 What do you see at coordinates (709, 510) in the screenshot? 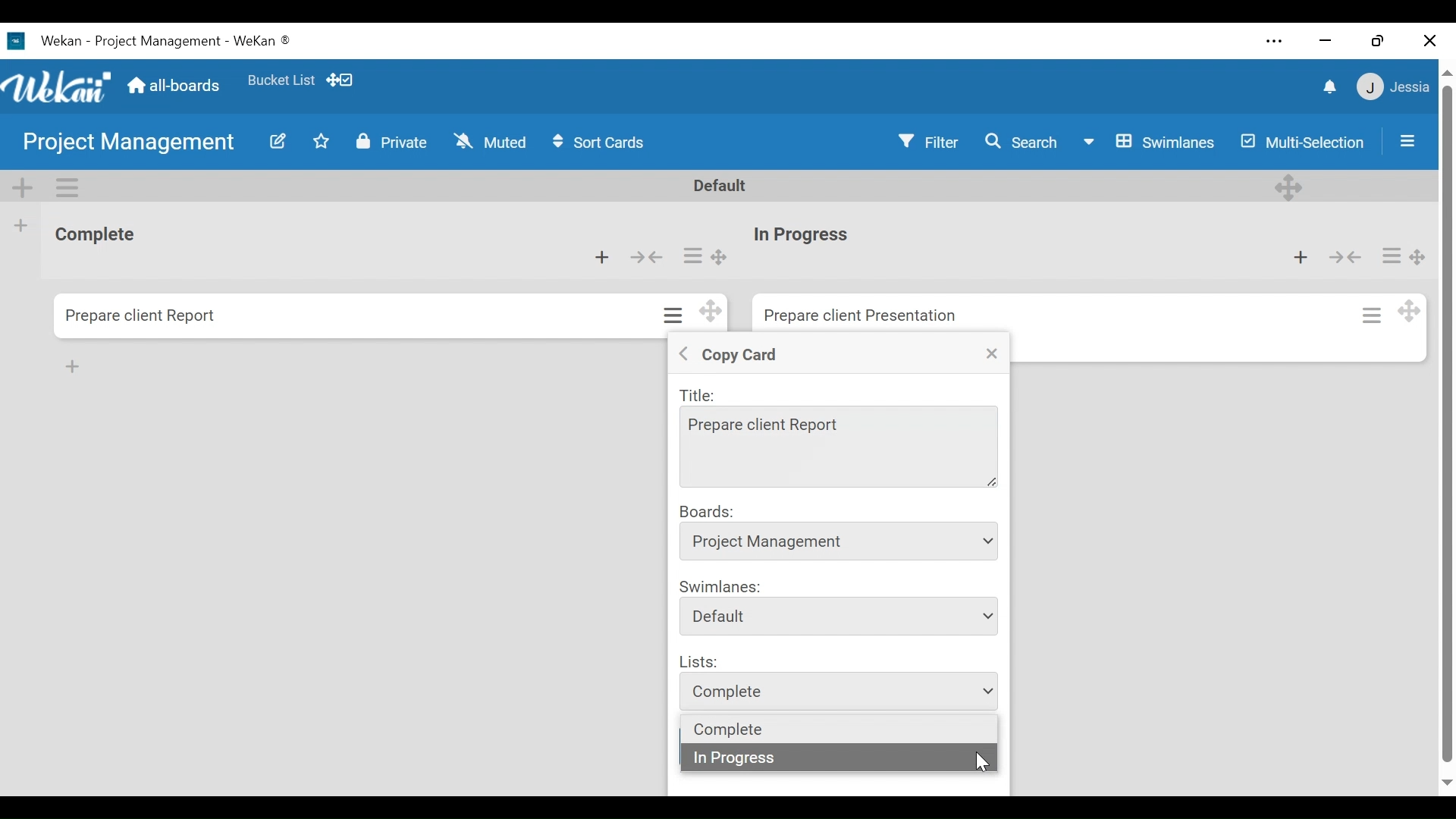
I see `Boards` at bounding box center [709, 510].